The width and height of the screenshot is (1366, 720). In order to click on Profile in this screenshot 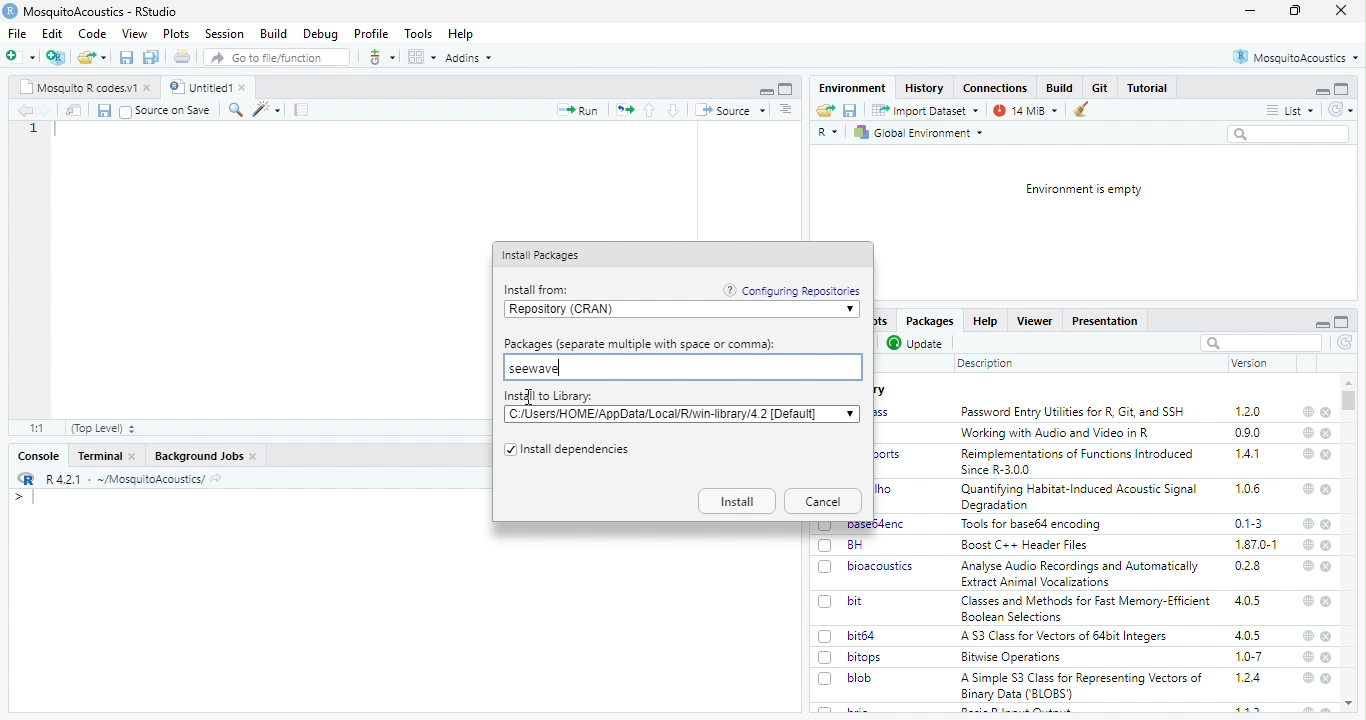, I will do `click(373, 34)`.